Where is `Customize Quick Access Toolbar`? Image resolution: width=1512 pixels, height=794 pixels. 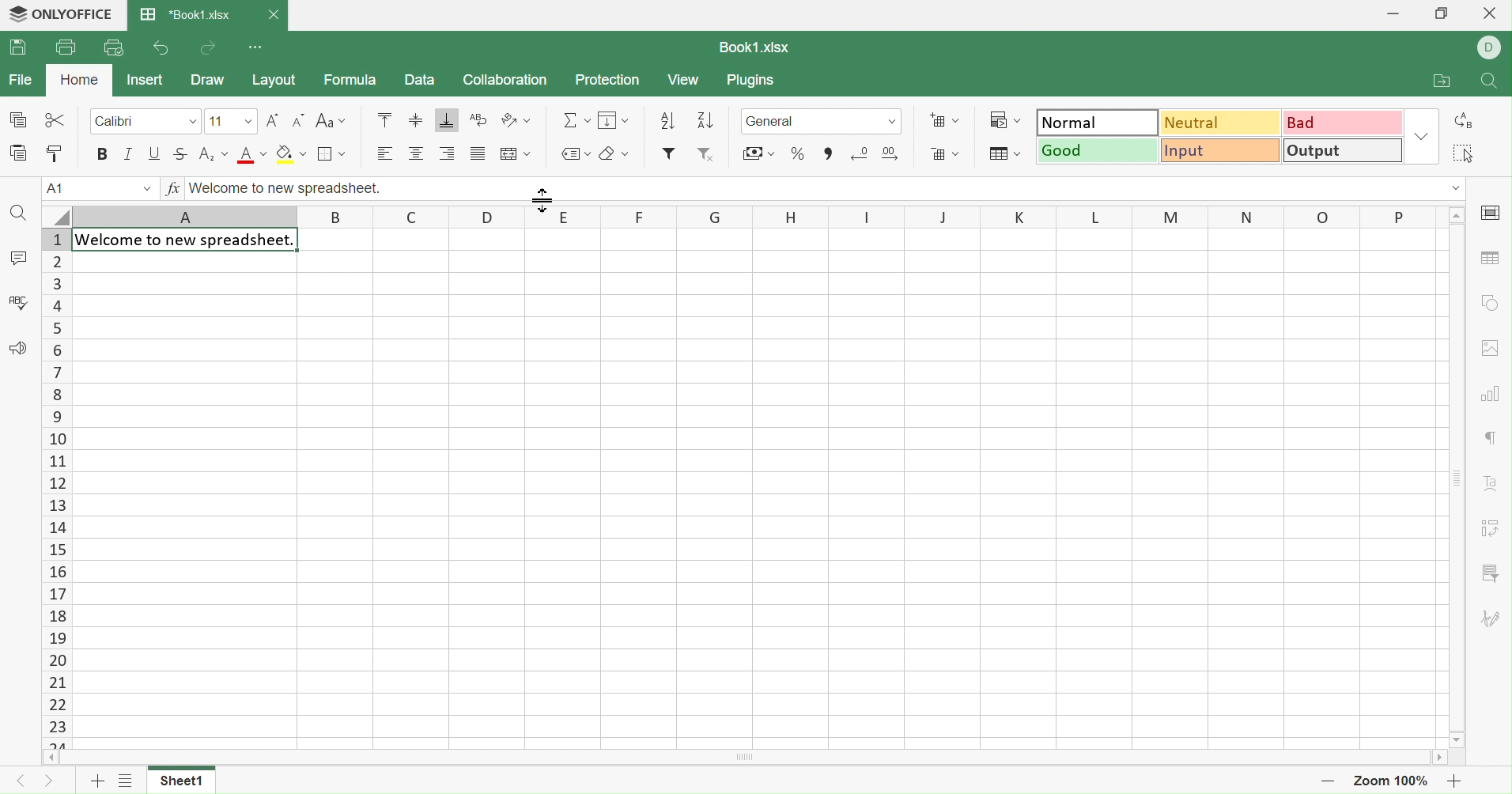 Customize Quick Access Toolbar is located at coordinates (257, 49).